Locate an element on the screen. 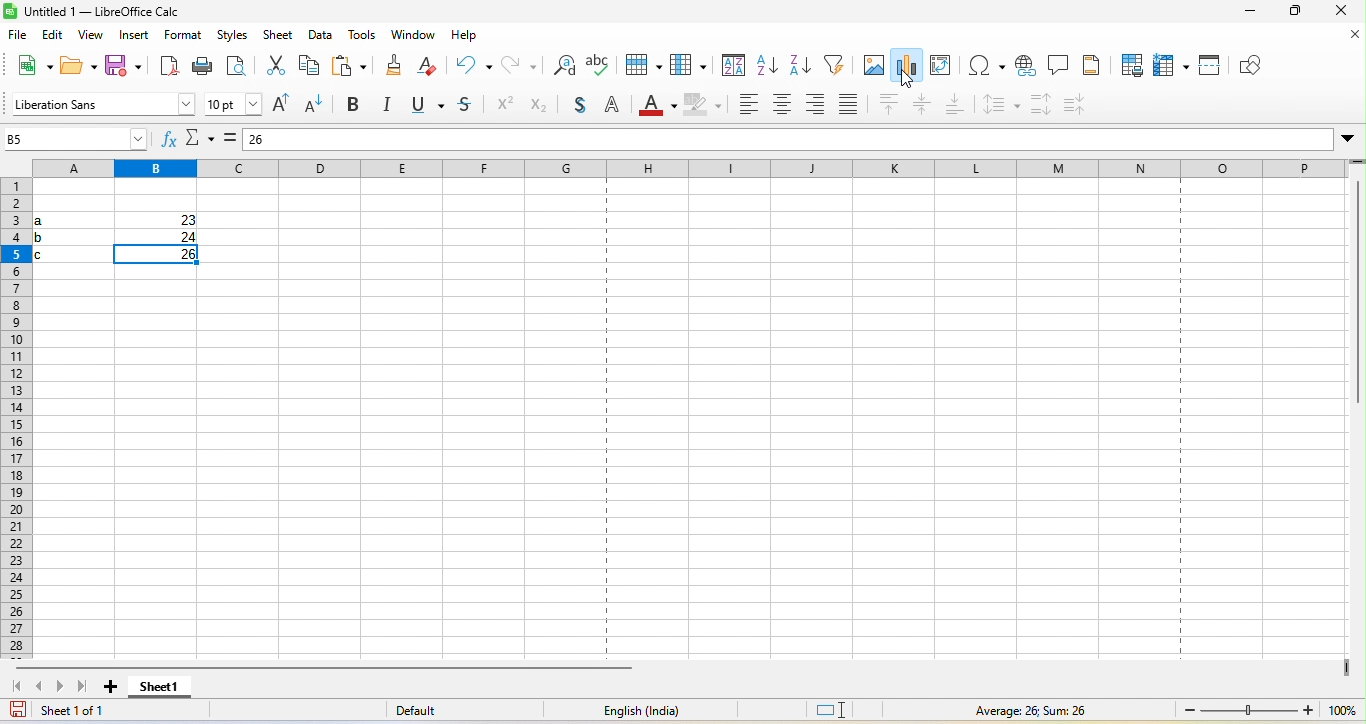 This screenshot has width=1366, height=724. subscript is located at coordinates (545, 109).